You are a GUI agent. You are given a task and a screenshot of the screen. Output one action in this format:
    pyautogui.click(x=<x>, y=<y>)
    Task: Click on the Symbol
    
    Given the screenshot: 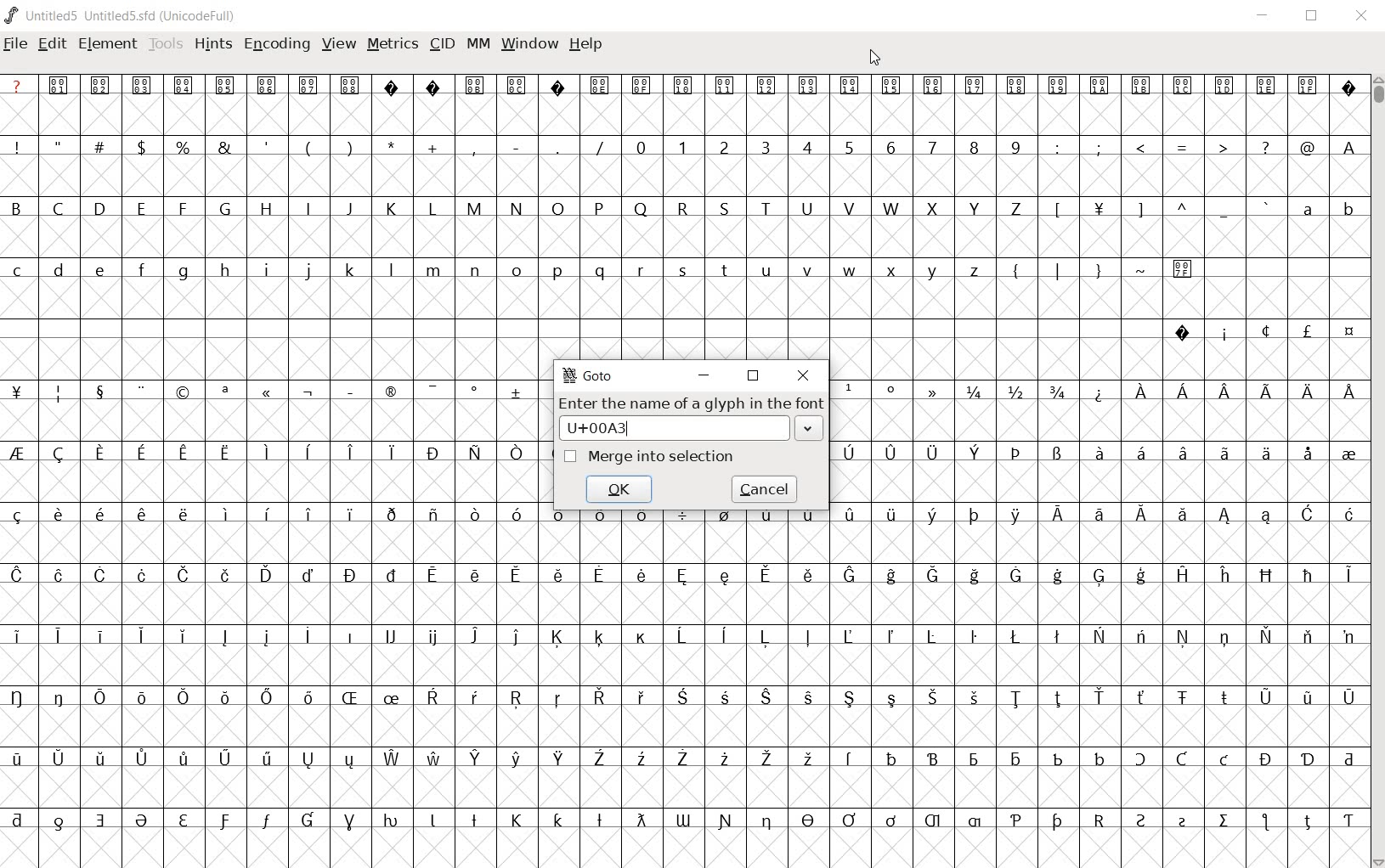 What is the action you would take?
    pyautogui.click(x=1225, y=516)
    